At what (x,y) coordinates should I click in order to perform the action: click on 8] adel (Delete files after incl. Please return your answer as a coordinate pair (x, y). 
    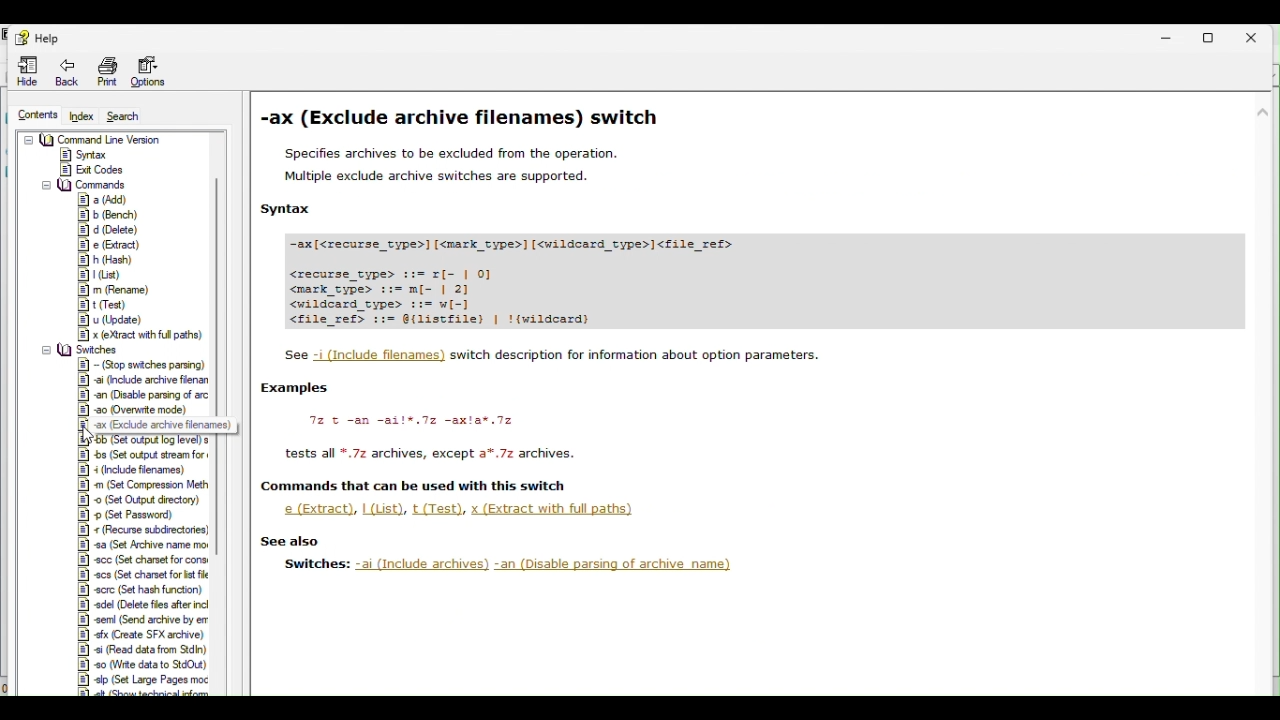
    Looking at the image, I should click on (144, 605).